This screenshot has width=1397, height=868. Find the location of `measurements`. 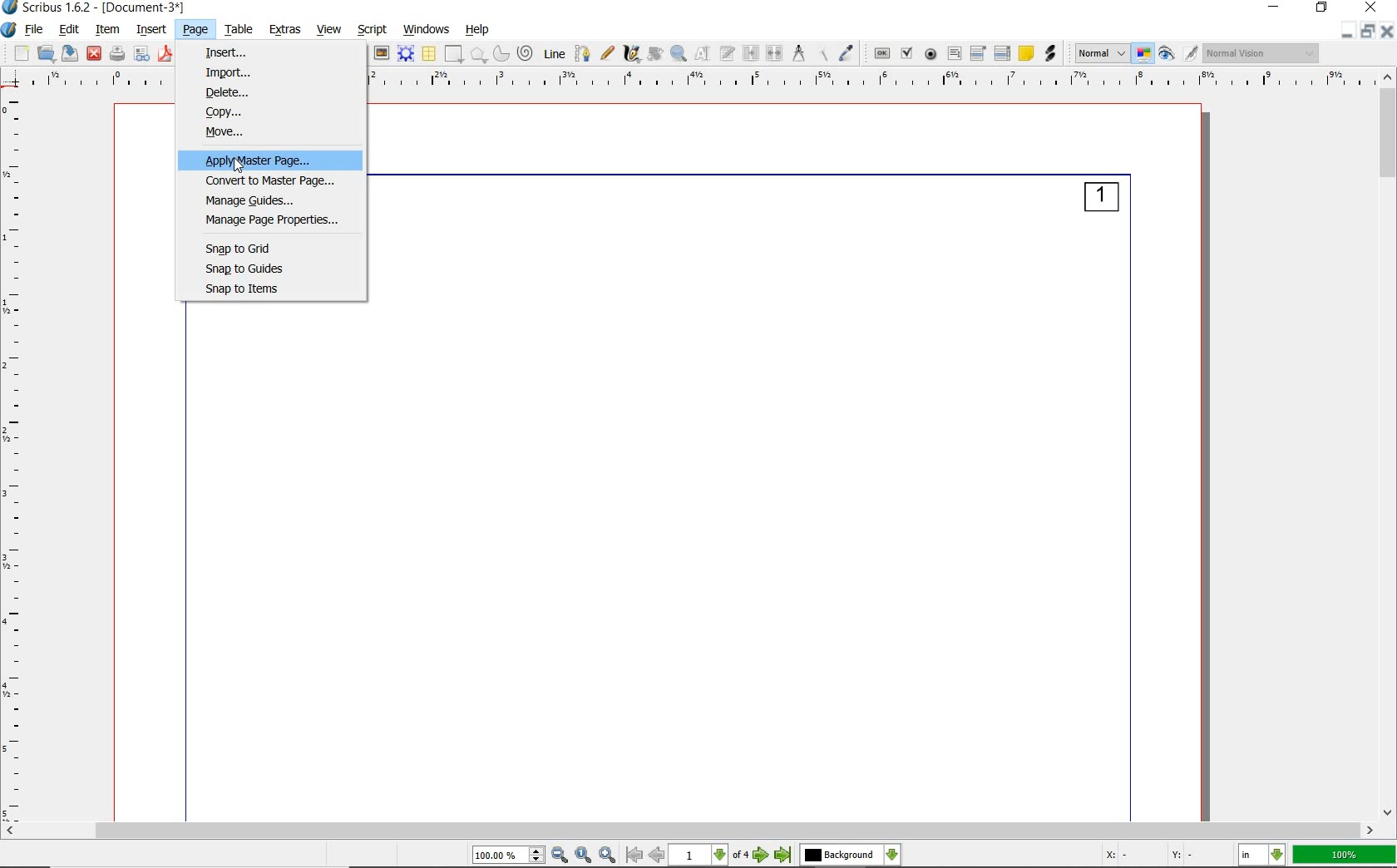

measurements is located at coordinates (798, 54).